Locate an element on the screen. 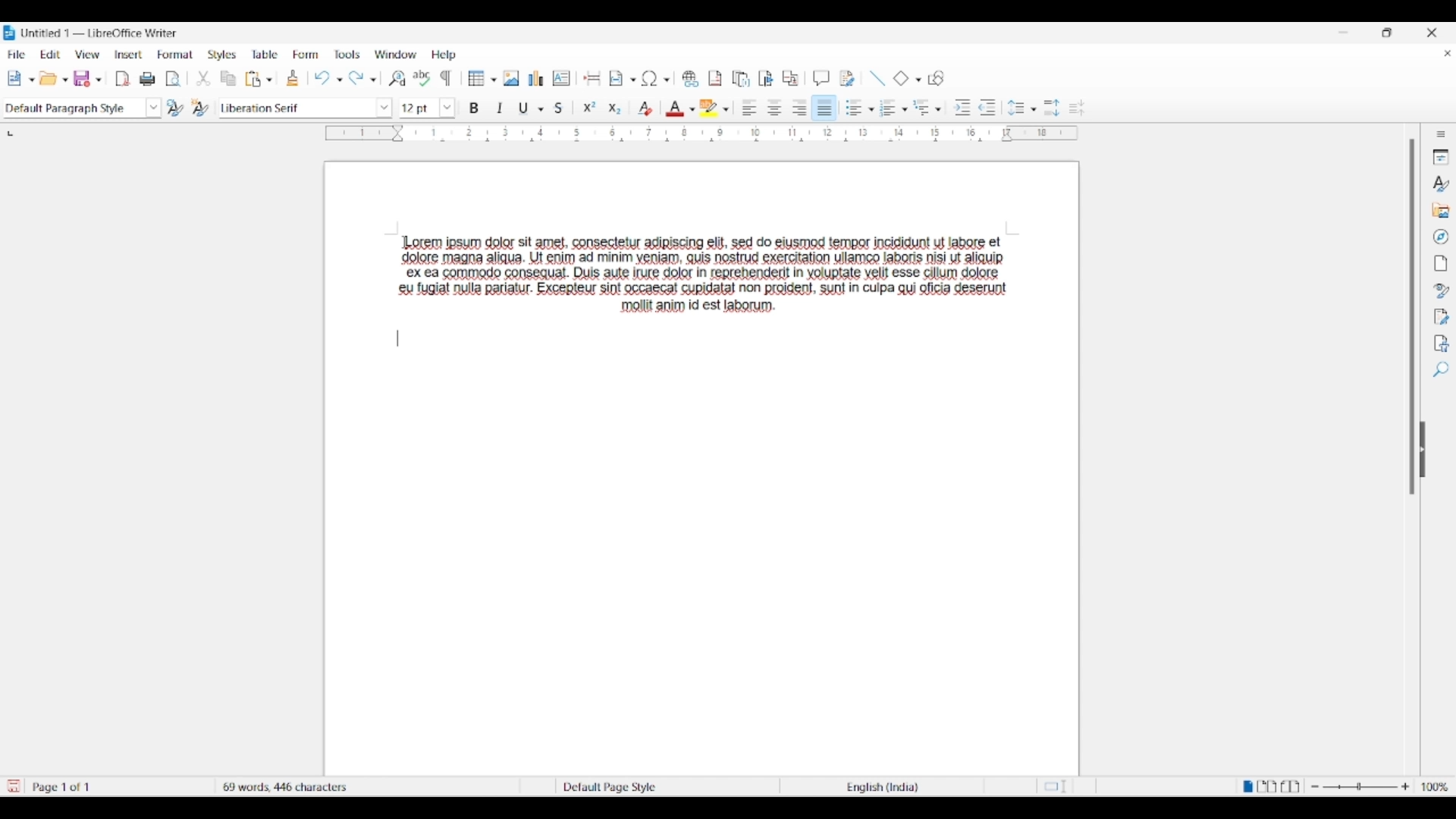 This screenshot has width=1456, height=819. Basic shape options is located at coordinates (915, 80).